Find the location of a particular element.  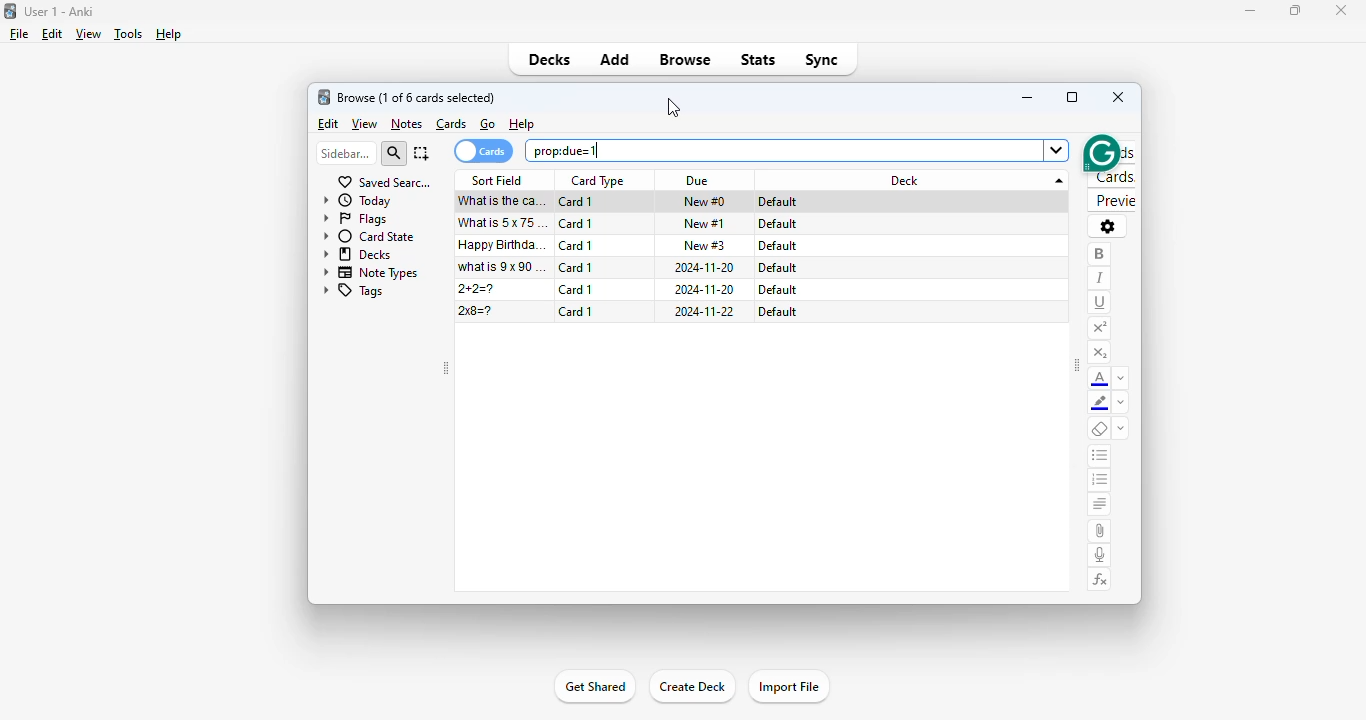

2024-11-20 is located at coordinates (705, 267).